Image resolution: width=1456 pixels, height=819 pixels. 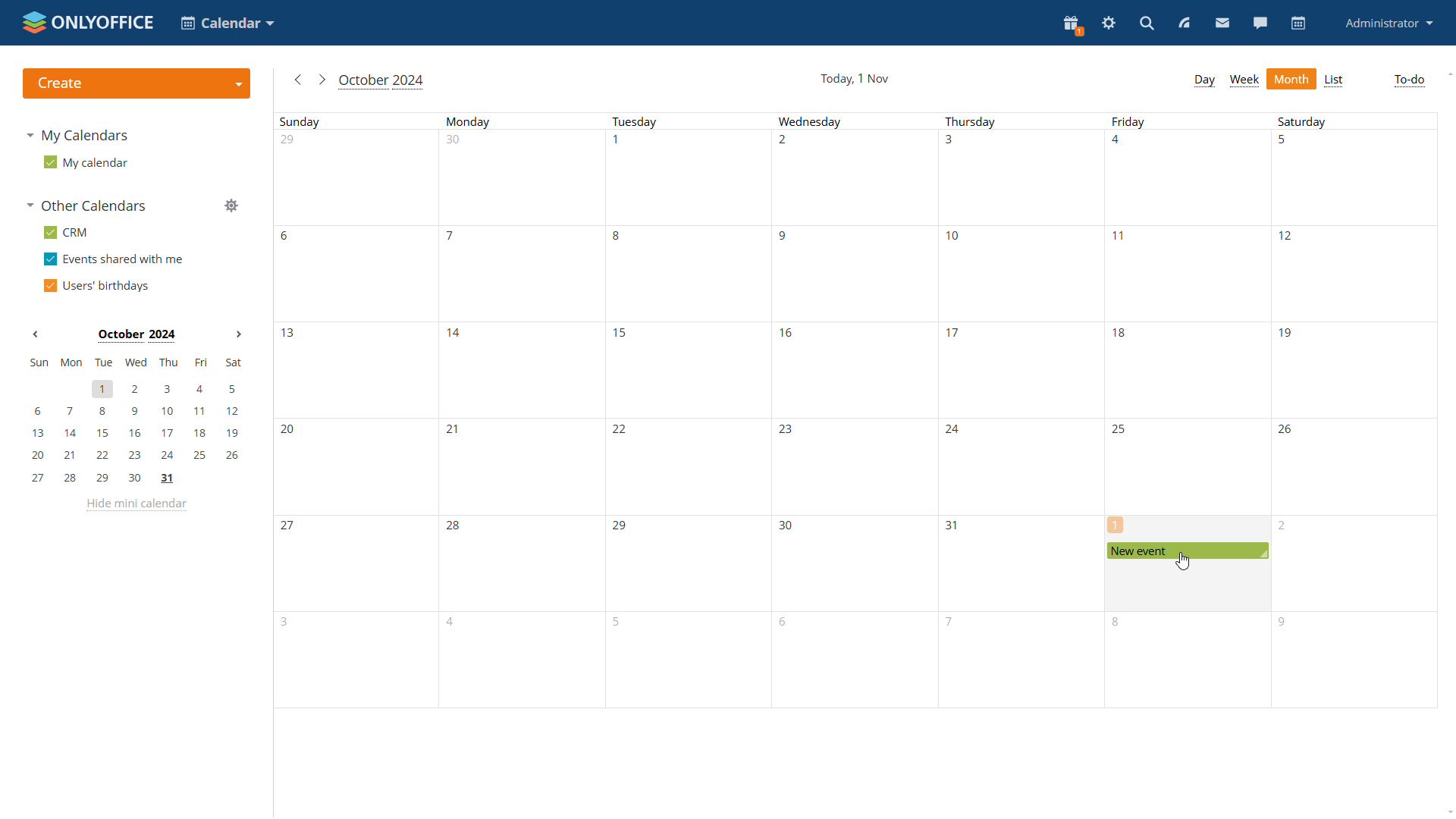 What do you see at coordinates (234, 207) in the screenshot?
I see `manage` at bounding box center [234, 207].